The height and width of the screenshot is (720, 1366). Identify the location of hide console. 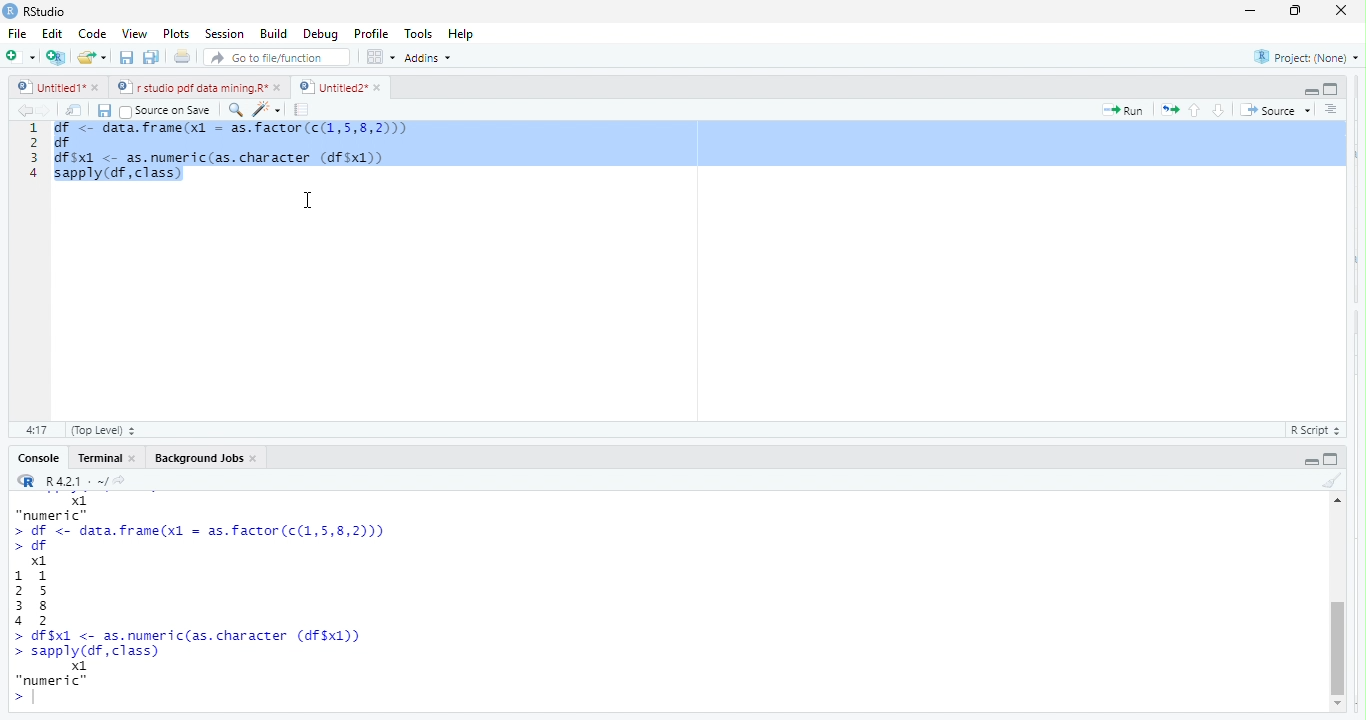
(1333, 460).